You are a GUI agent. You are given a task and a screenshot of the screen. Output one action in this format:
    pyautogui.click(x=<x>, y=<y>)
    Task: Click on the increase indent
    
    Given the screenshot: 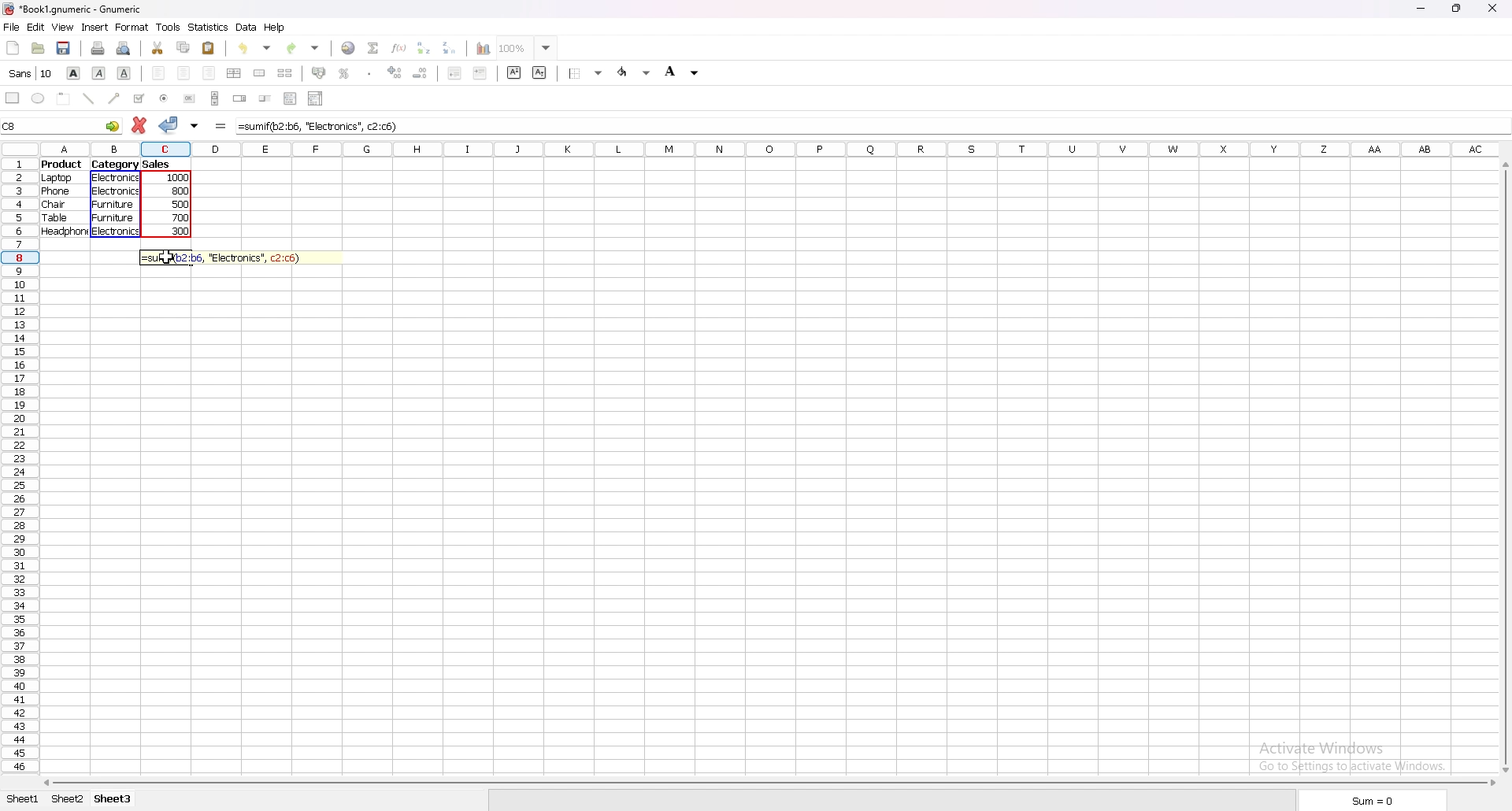 What is the action you would take?
    pyautogui.click(x=480, y=73)
    